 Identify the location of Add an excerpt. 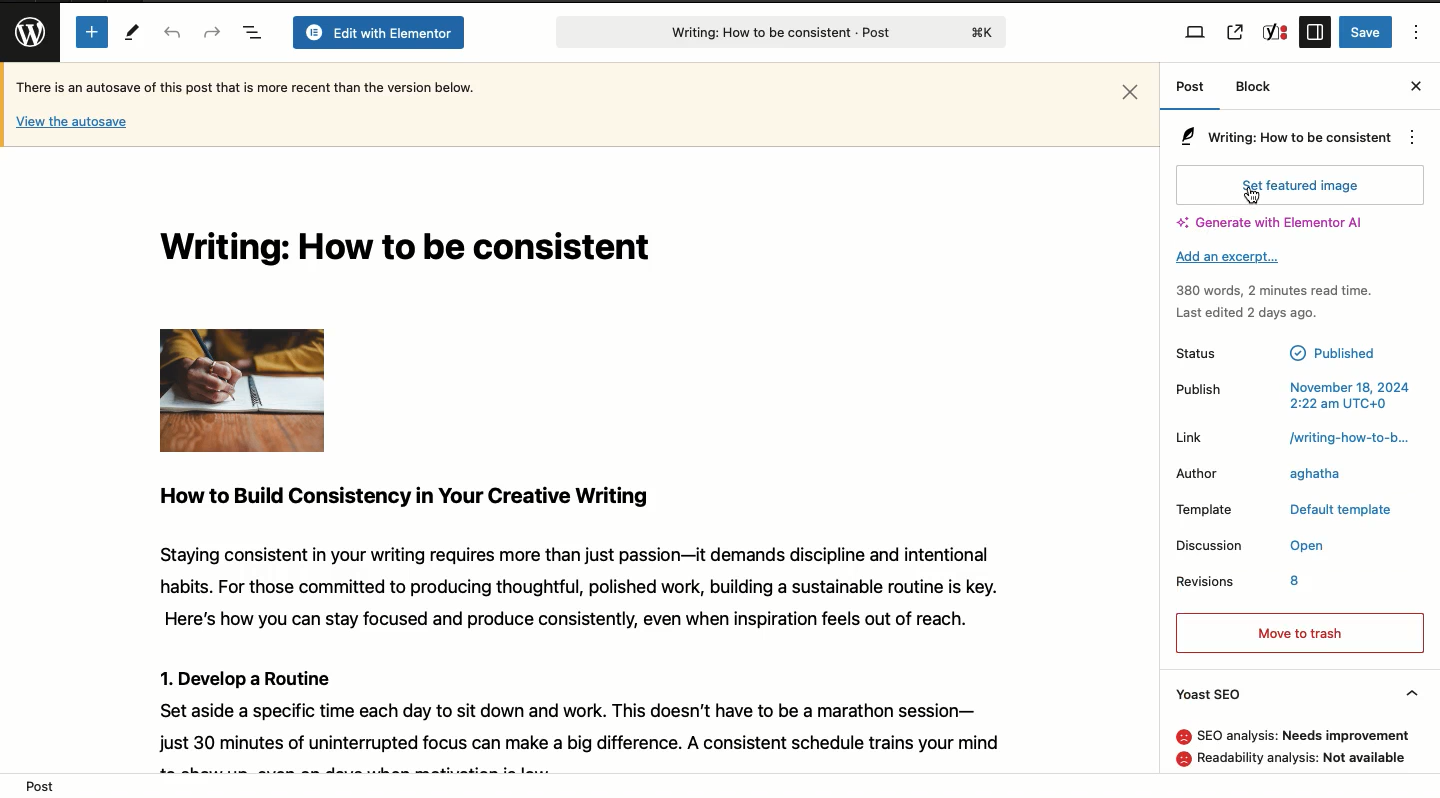
(1226, 258).